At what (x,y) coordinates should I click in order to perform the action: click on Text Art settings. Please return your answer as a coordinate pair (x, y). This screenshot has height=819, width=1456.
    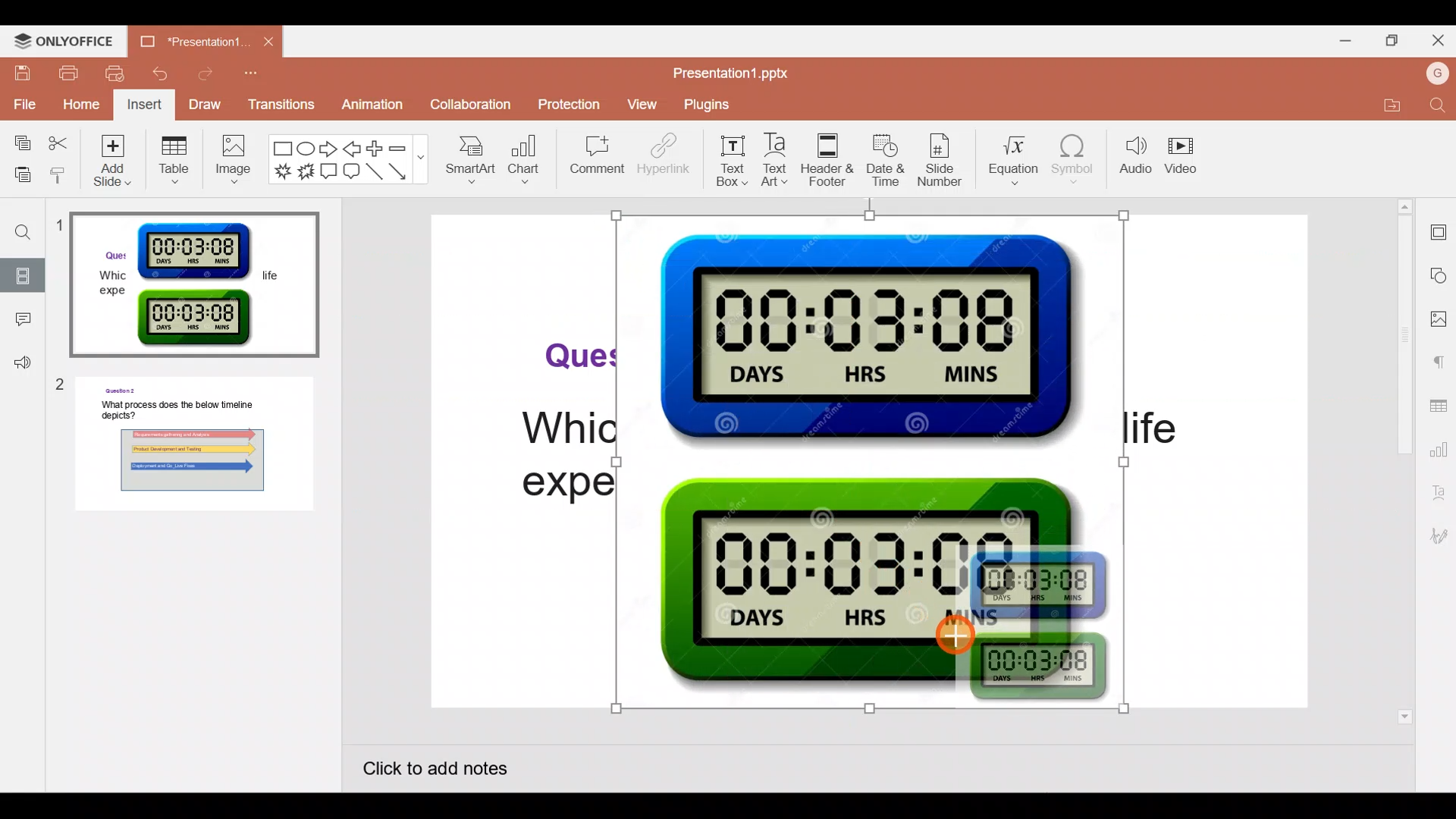
    Looking at the image, I should click on (1439, 494).